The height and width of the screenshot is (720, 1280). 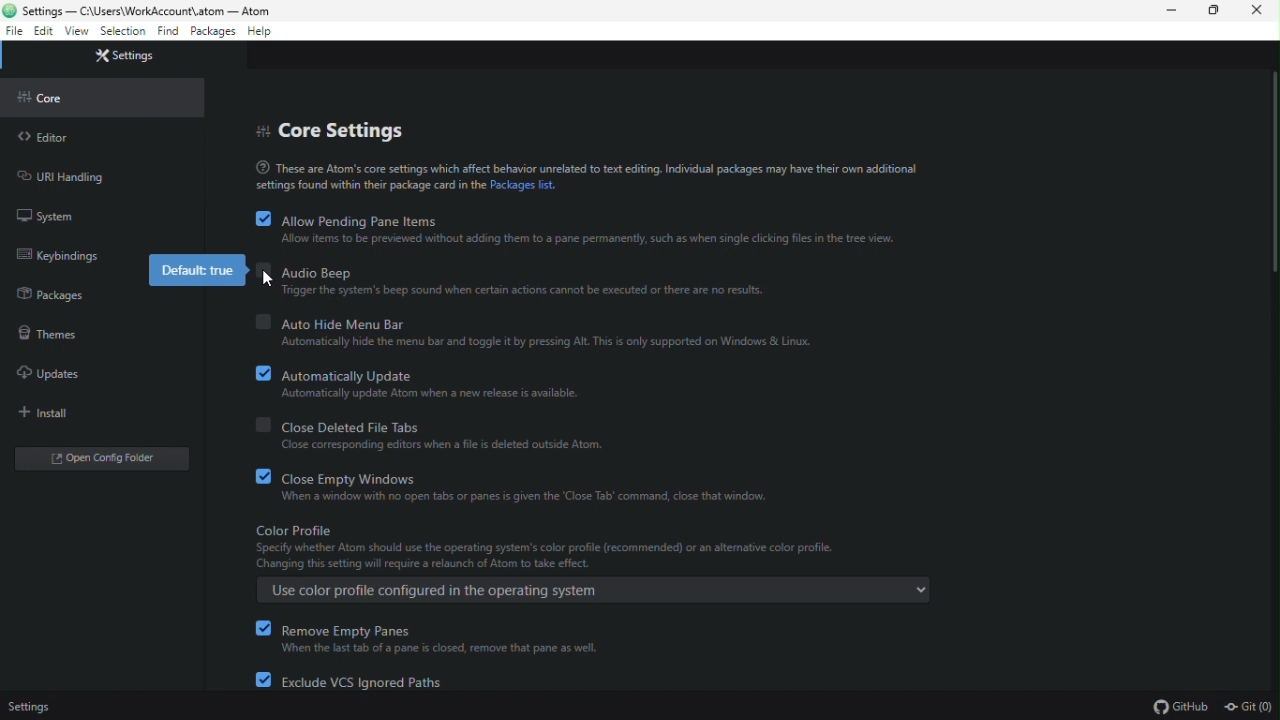 What do you see at coordinates (431, 393) in the screenshot?
I see `Automatically update Atom when a new release is available` at bounding box center [431, 393].